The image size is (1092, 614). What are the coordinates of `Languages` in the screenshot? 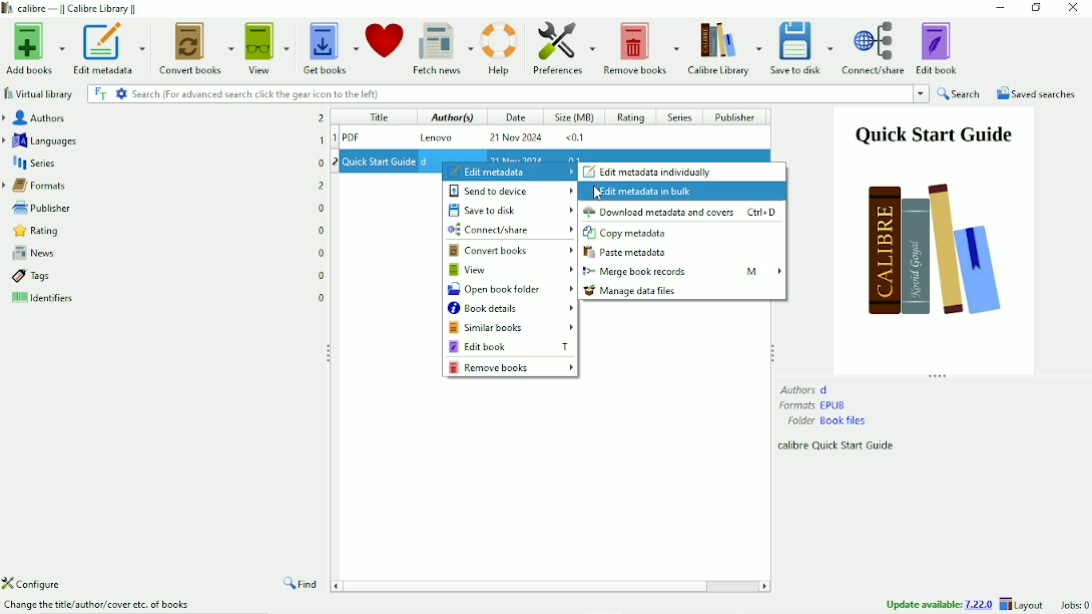 It's located at (164, 140).